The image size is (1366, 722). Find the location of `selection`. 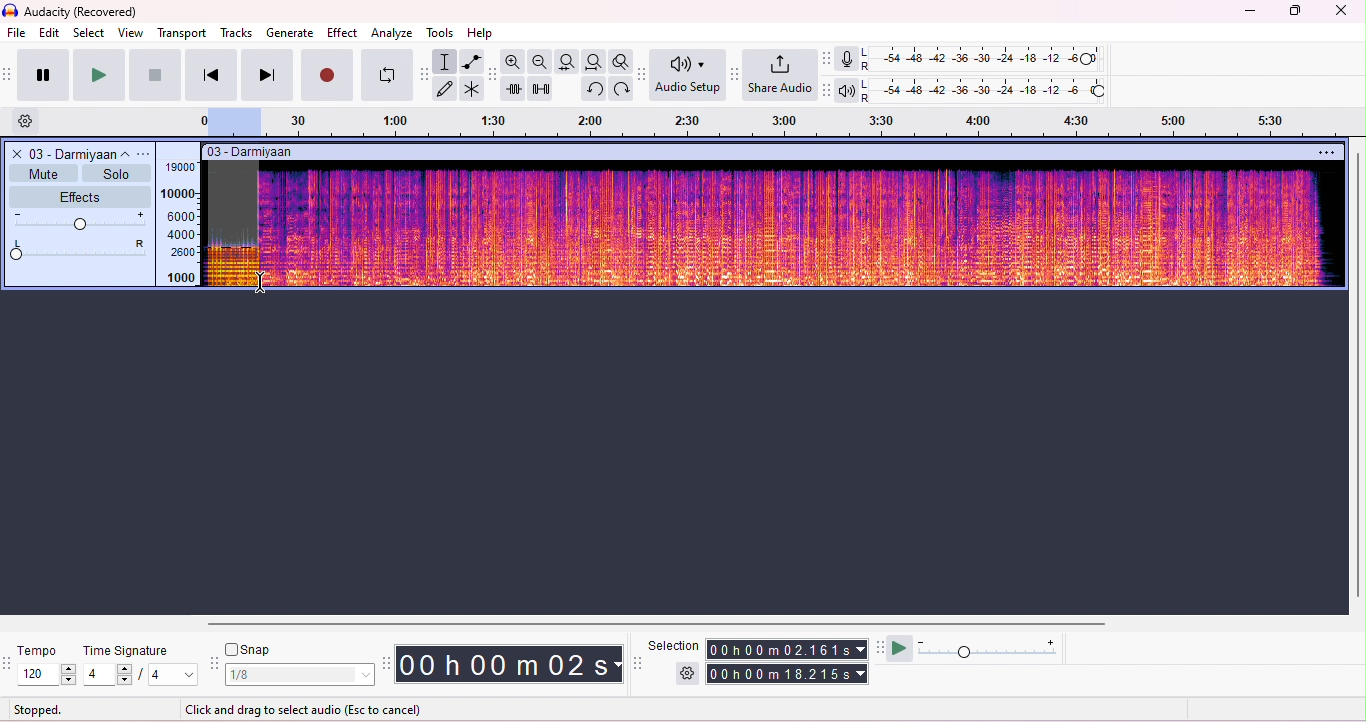

selection is located at coordinates (447, 62).